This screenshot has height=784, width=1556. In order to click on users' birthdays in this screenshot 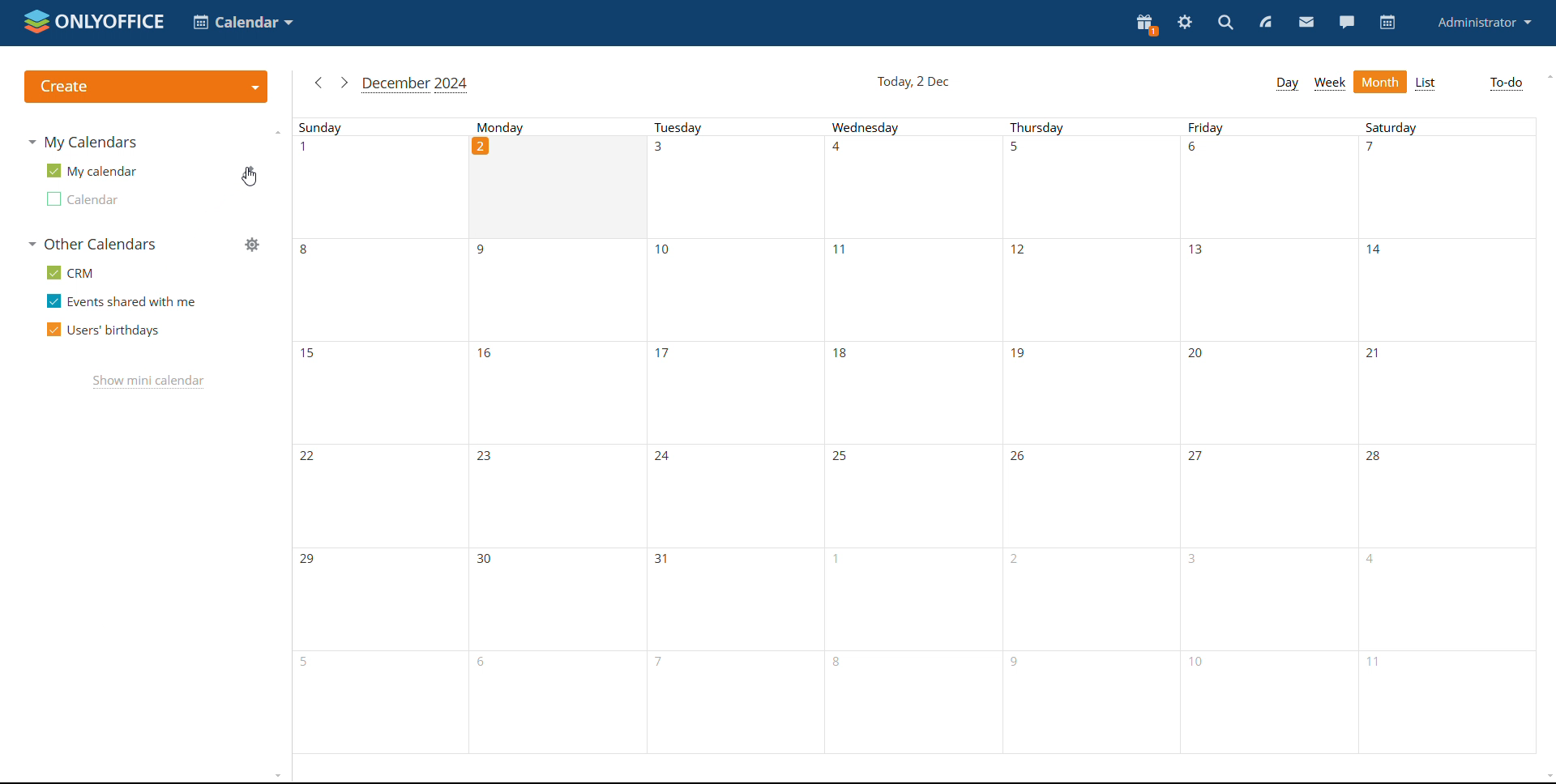, I will do `click(102, 331)`.